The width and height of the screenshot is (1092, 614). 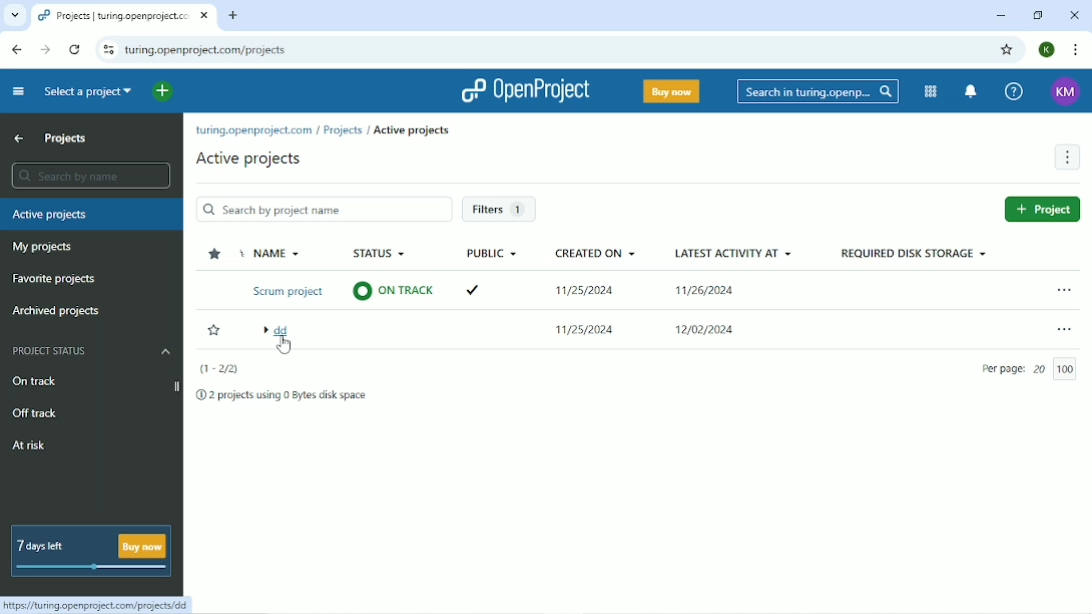 What do you see at coordinates (76, 49) in the screenshot?
I see `Reload this page` at bounding box center [76, 49].